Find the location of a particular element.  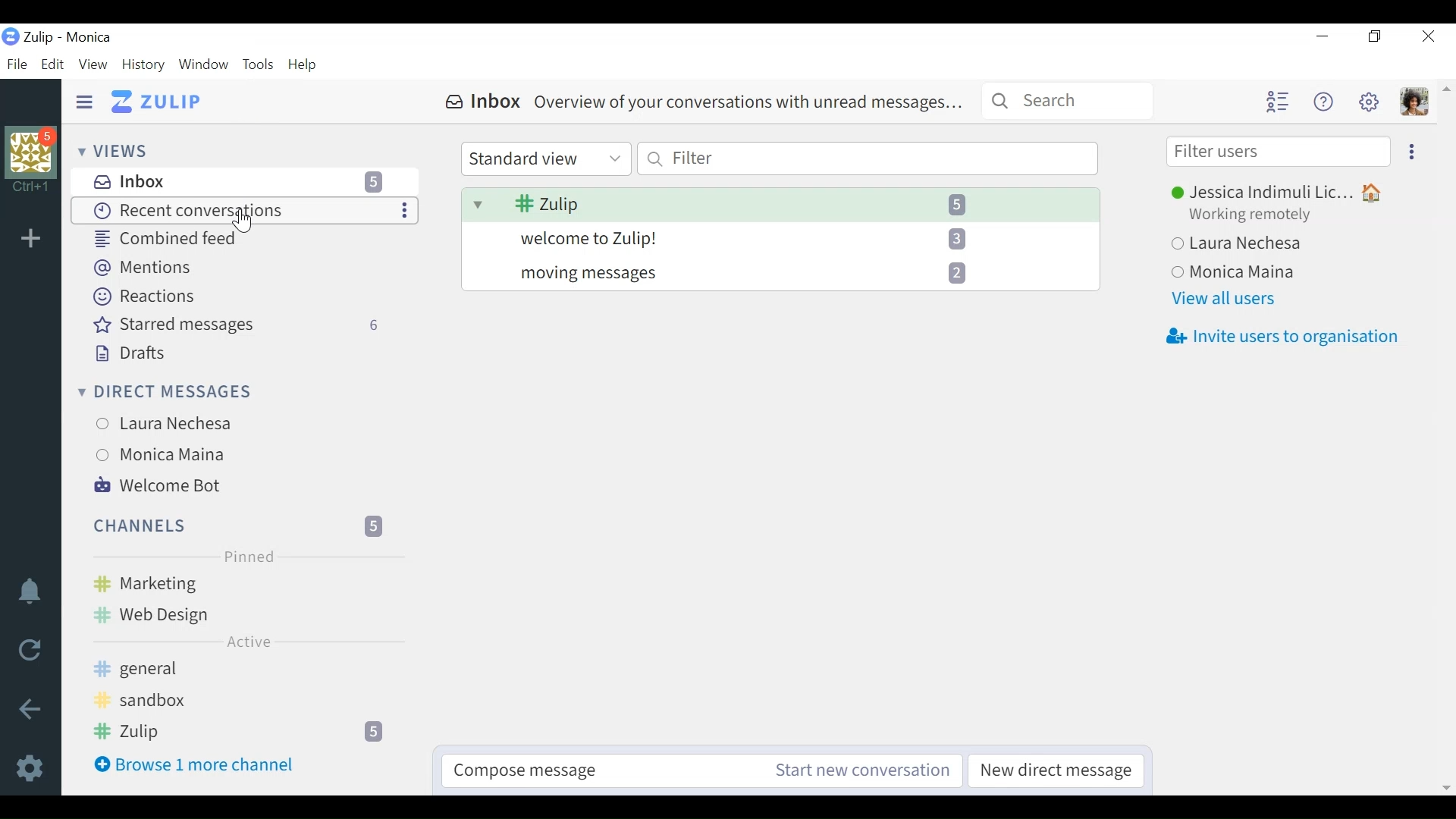

organisation photo is located at coordinates (35, 151).